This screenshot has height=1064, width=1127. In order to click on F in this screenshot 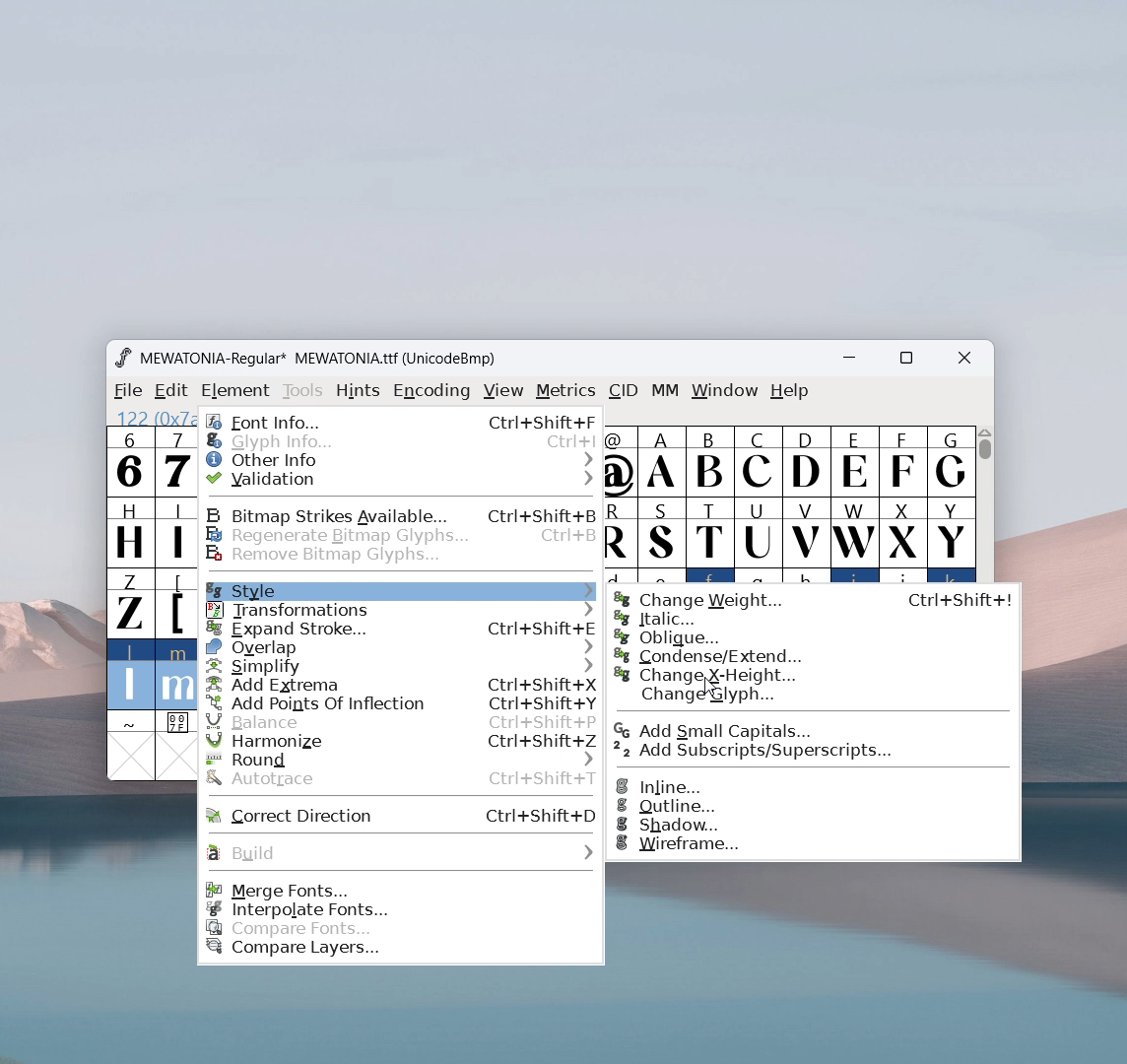, I will do `click(901, 460)`.